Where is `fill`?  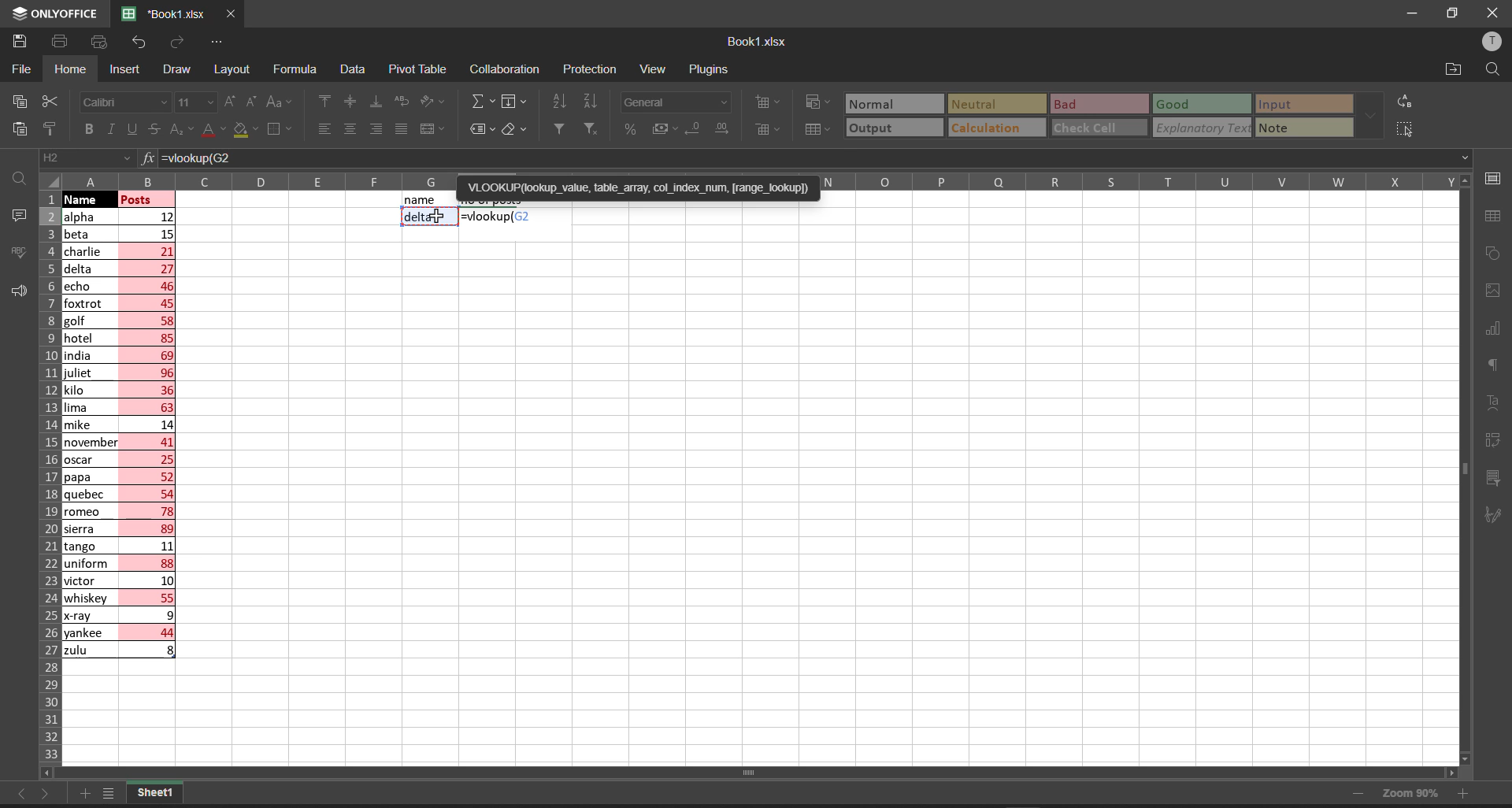 fill is located at coordinates (517, 102).